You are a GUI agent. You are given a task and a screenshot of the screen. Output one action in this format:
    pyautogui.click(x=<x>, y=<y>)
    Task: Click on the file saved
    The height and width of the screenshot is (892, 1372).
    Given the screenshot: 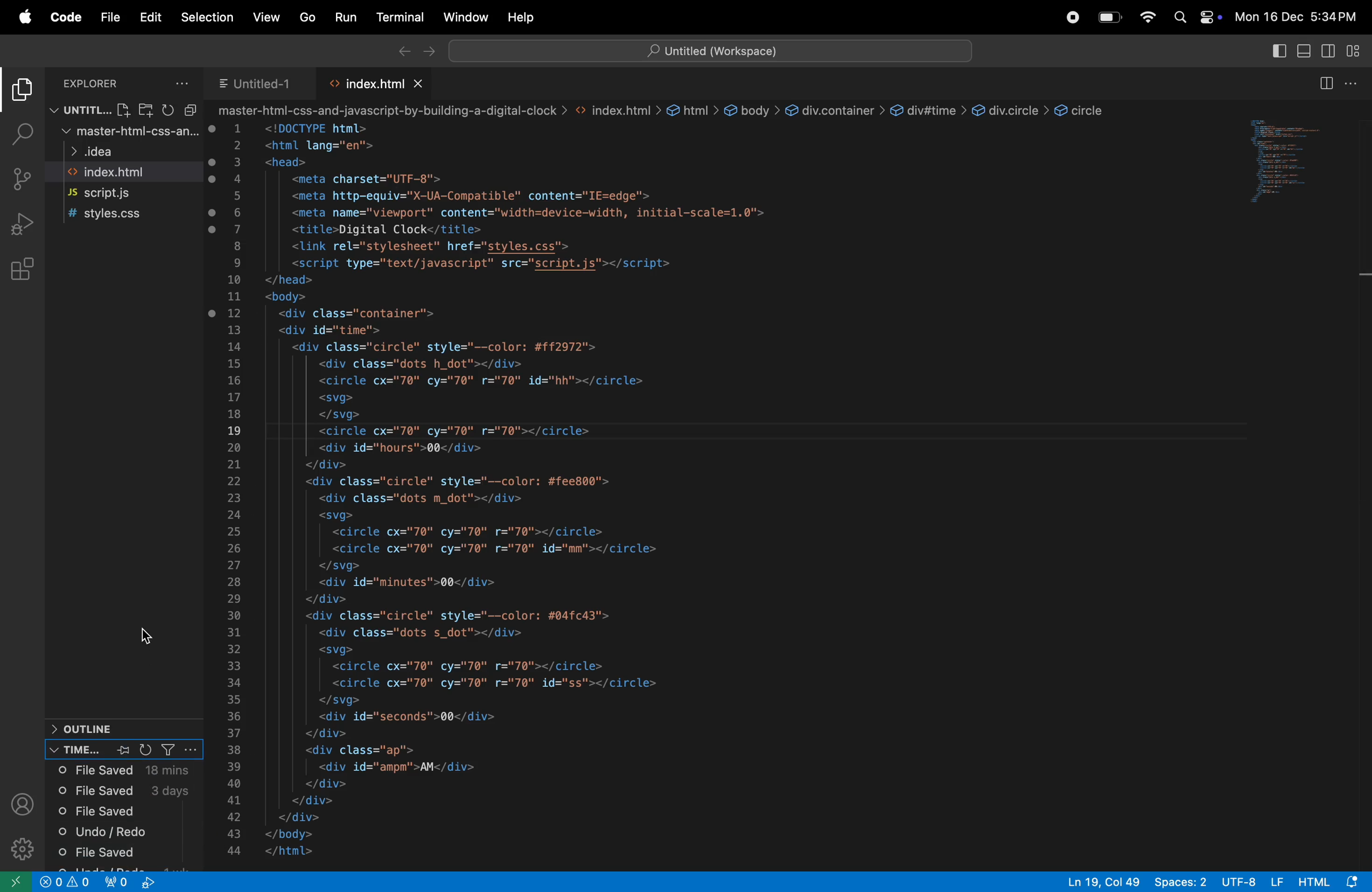 What is the action you would take?
    pyautogui.click(x=126, y=854)
    